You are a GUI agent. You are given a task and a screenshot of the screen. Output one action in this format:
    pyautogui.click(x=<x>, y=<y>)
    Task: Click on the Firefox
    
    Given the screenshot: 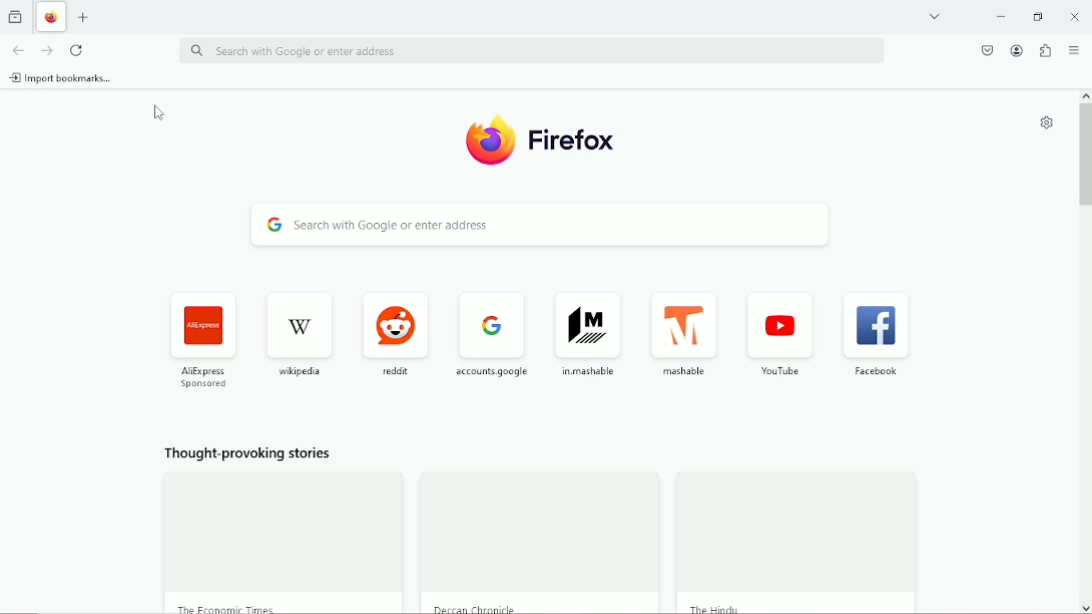 What is the action you would take?
    pyautogui.click(x=542, y=139)
    